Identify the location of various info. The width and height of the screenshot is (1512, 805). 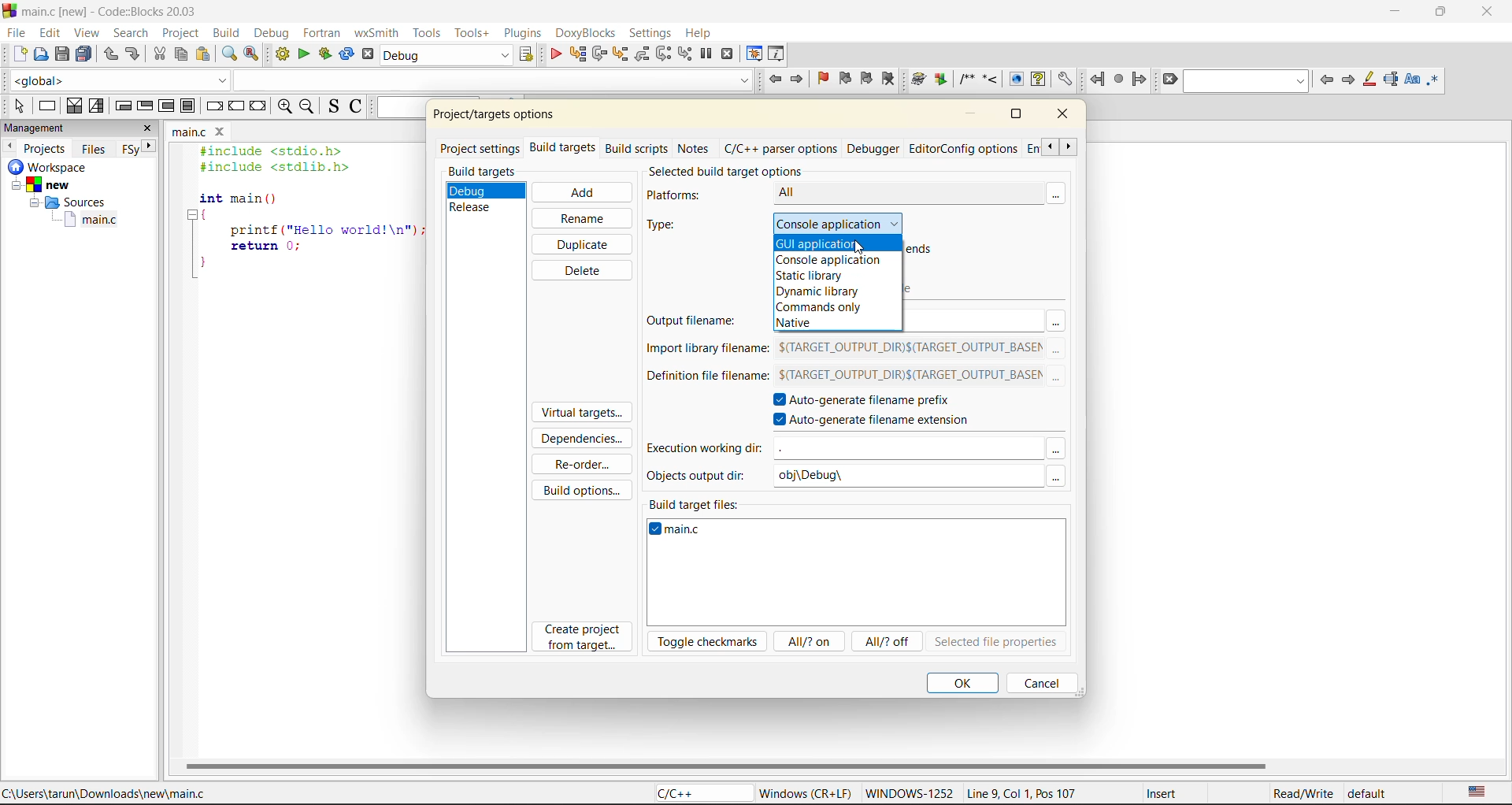
(777, 54).